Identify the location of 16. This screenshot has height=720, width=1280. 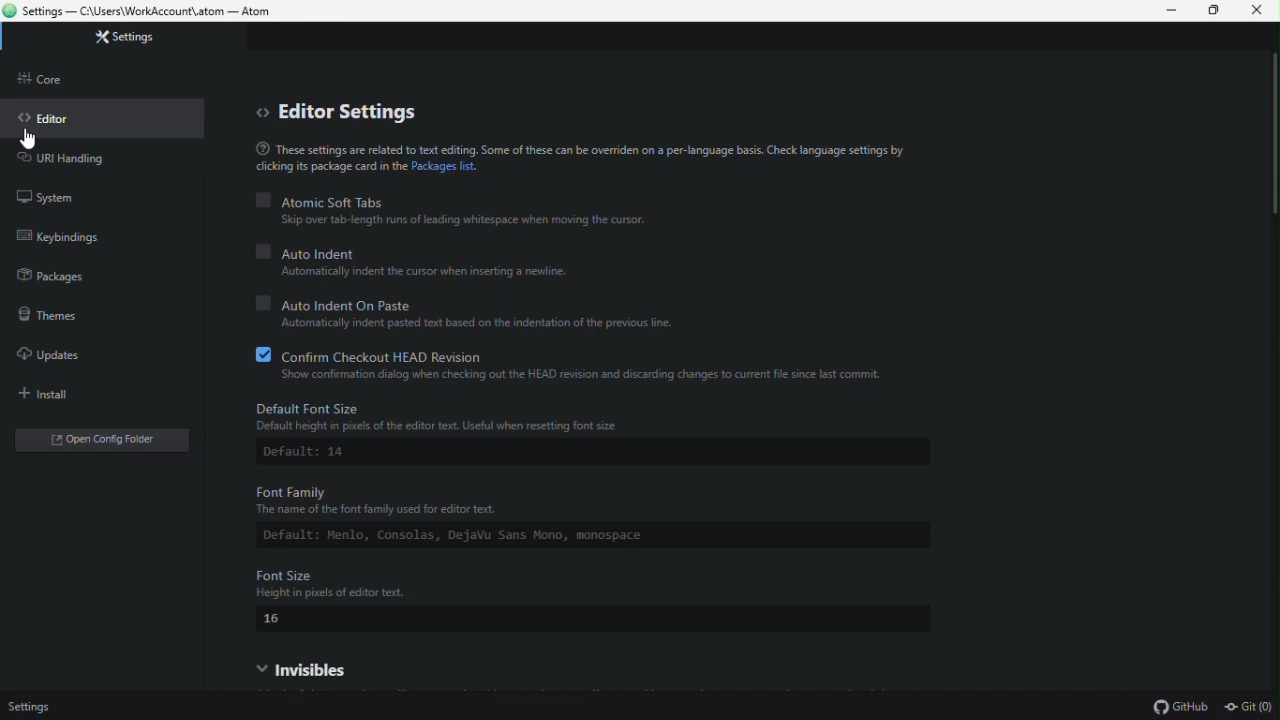
(275, 622).